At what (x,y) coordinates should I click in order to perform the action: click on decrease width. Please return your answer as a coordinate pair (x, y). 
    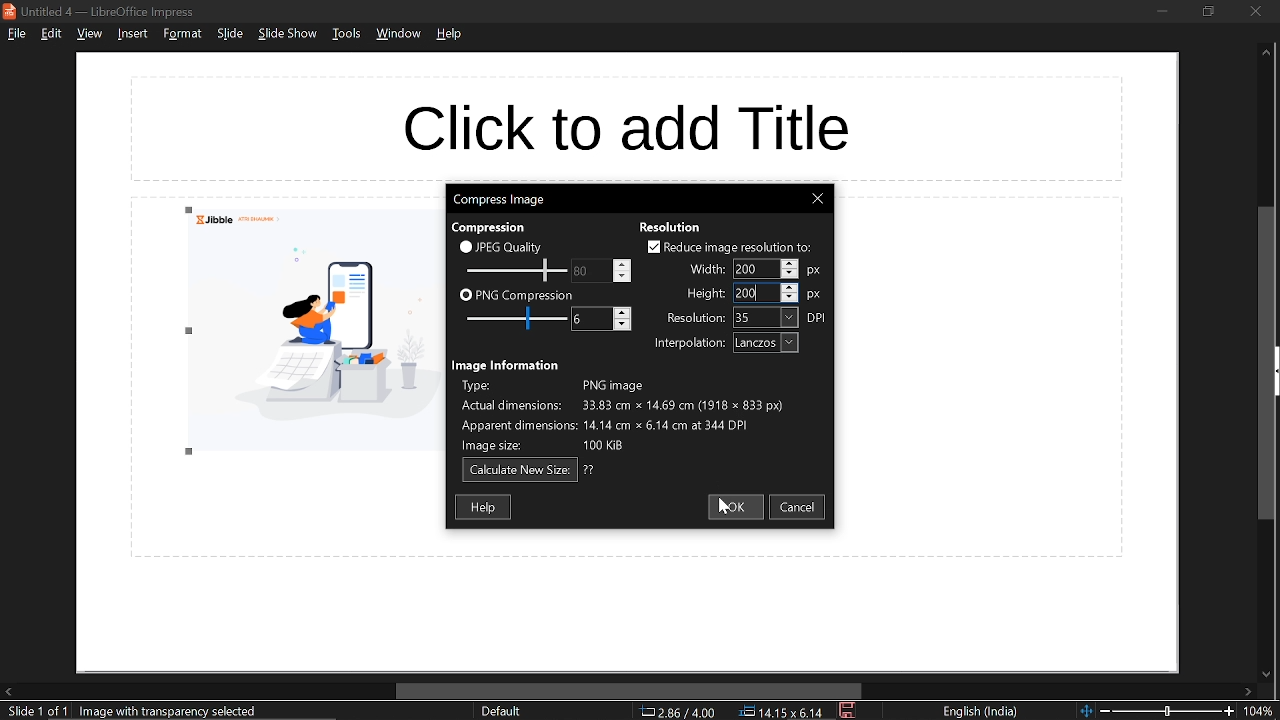
    Looking at the image, I should click on (790, 274).